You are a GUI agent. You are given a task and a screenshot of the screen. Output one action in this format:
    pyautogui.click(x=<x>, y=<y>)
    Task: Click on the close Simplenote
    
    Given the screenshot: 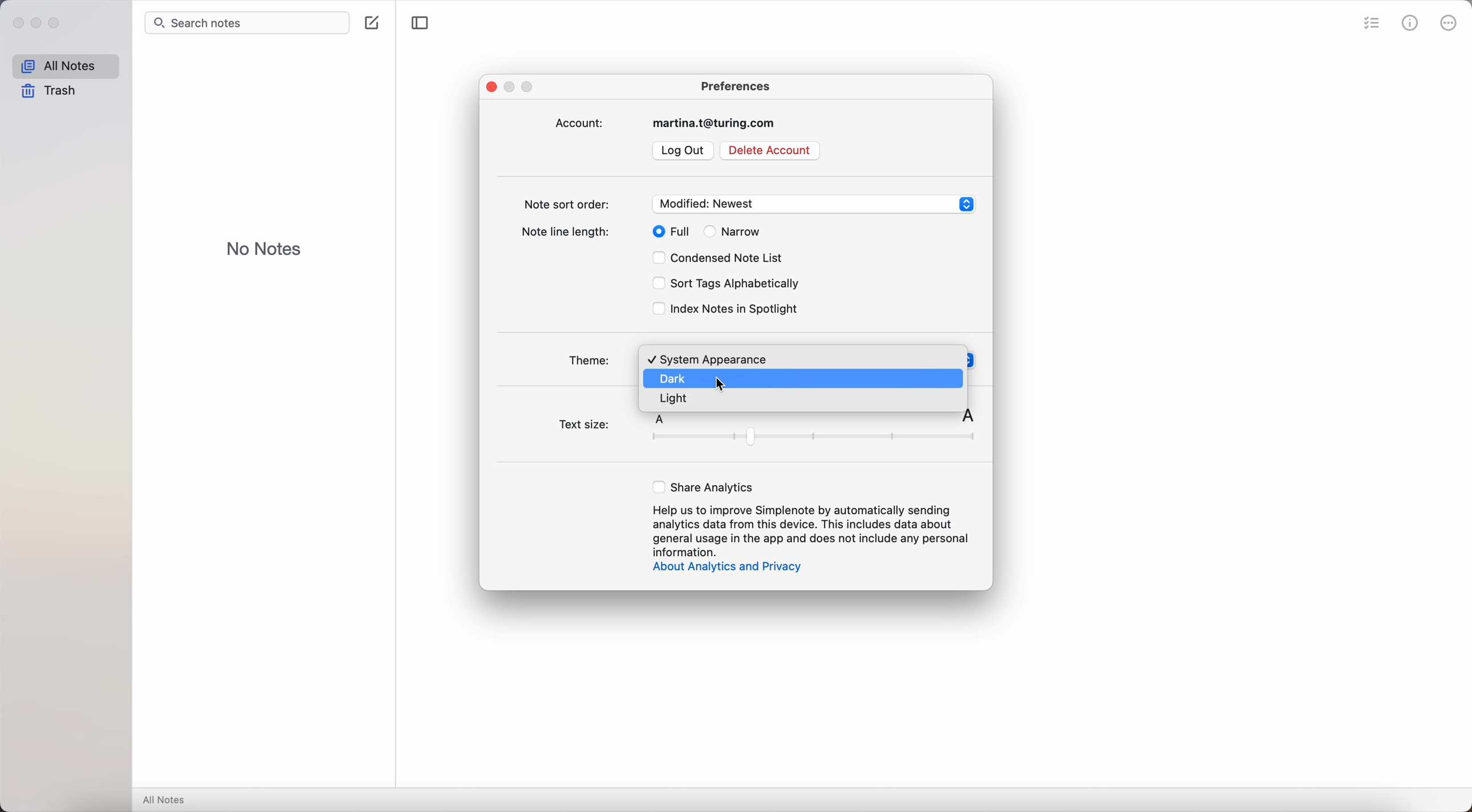 What is the action you would take?
    pyautogui.click(x=17, y=22)
    